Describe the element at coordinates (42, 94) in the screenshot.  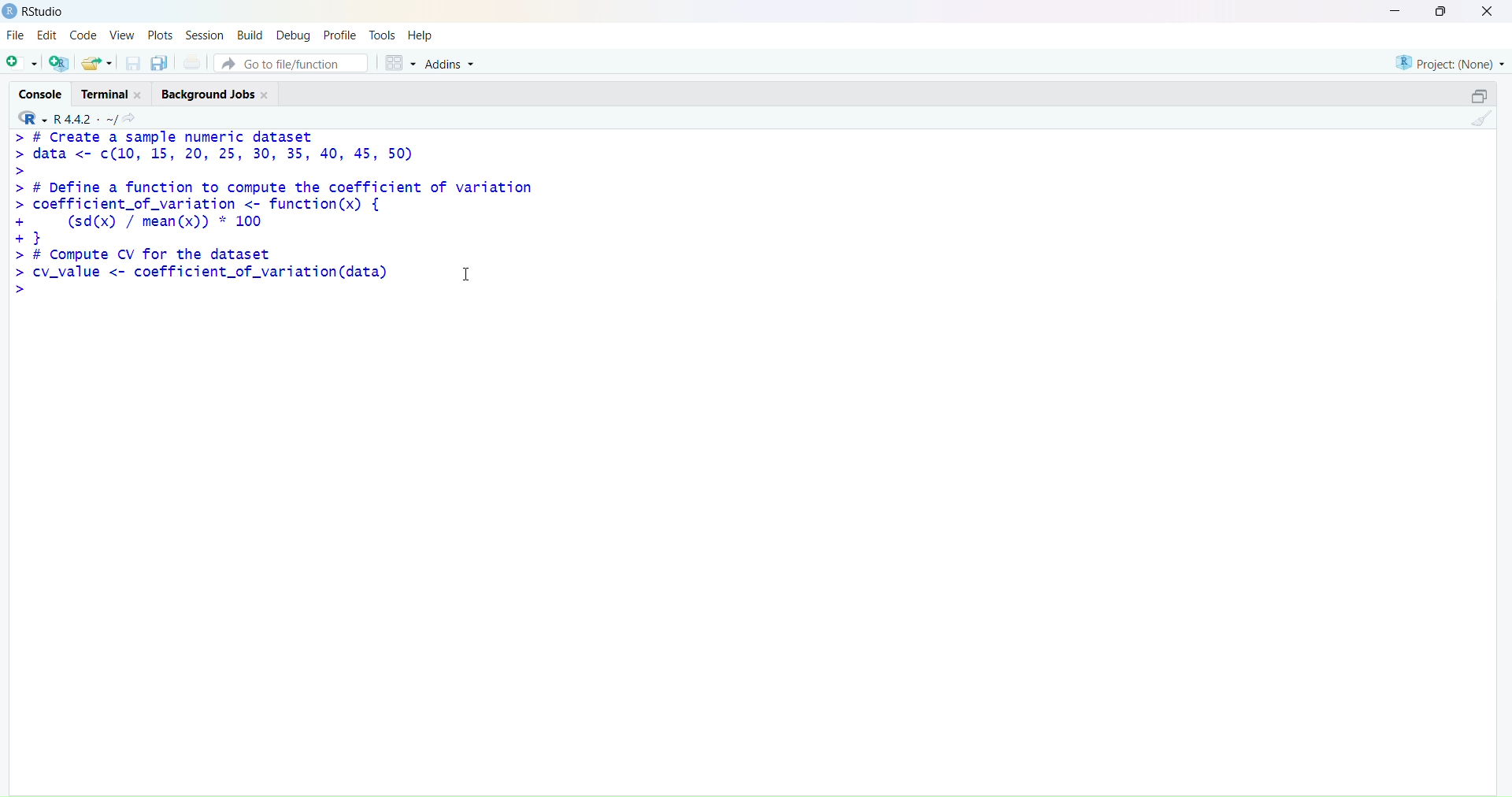
I see `console` at that location.